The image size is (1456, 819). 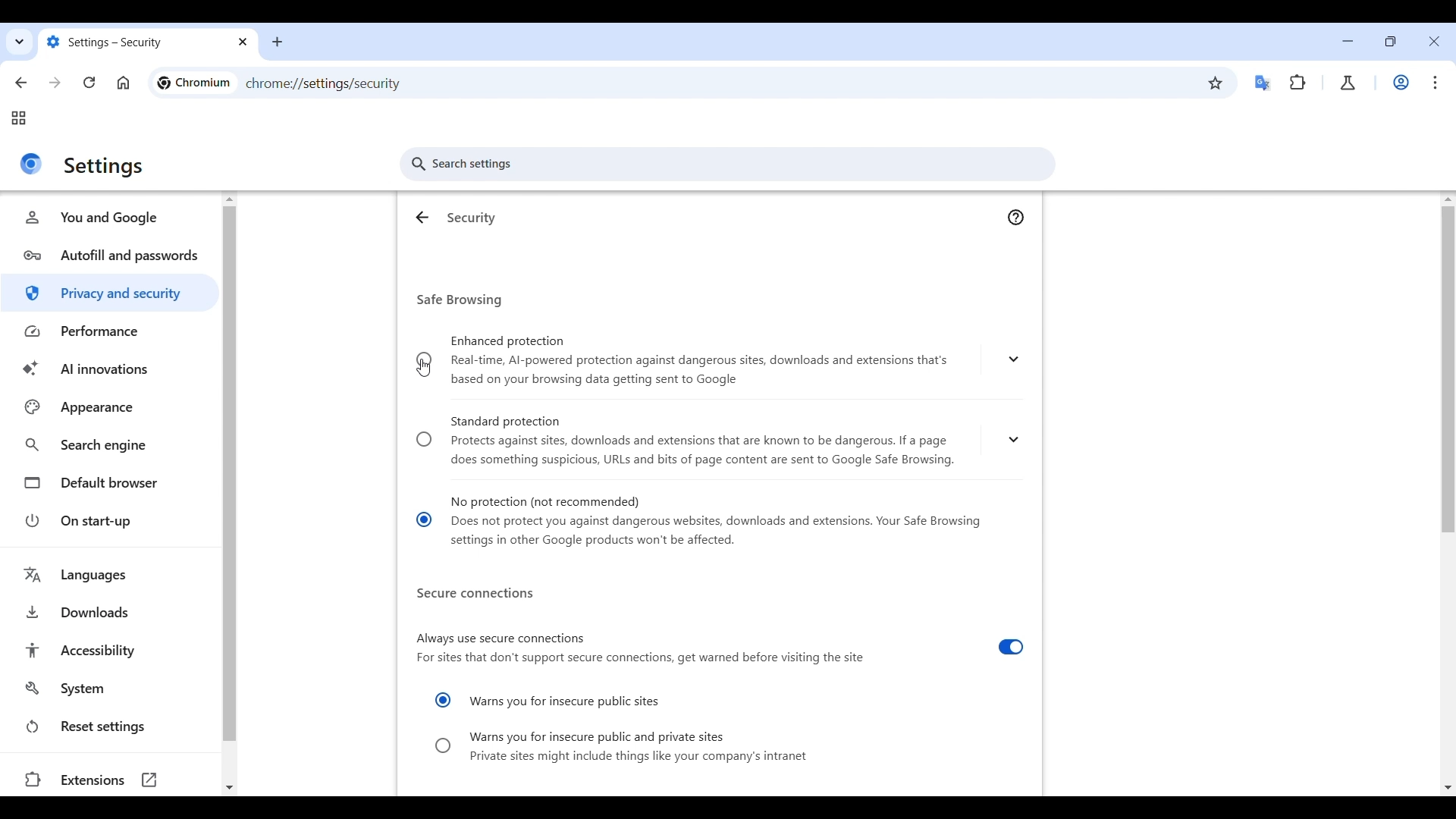 What do you see at coordinates (111, 218) in the screenshot?
I see `You and Google` at bounding box center [111, 218].